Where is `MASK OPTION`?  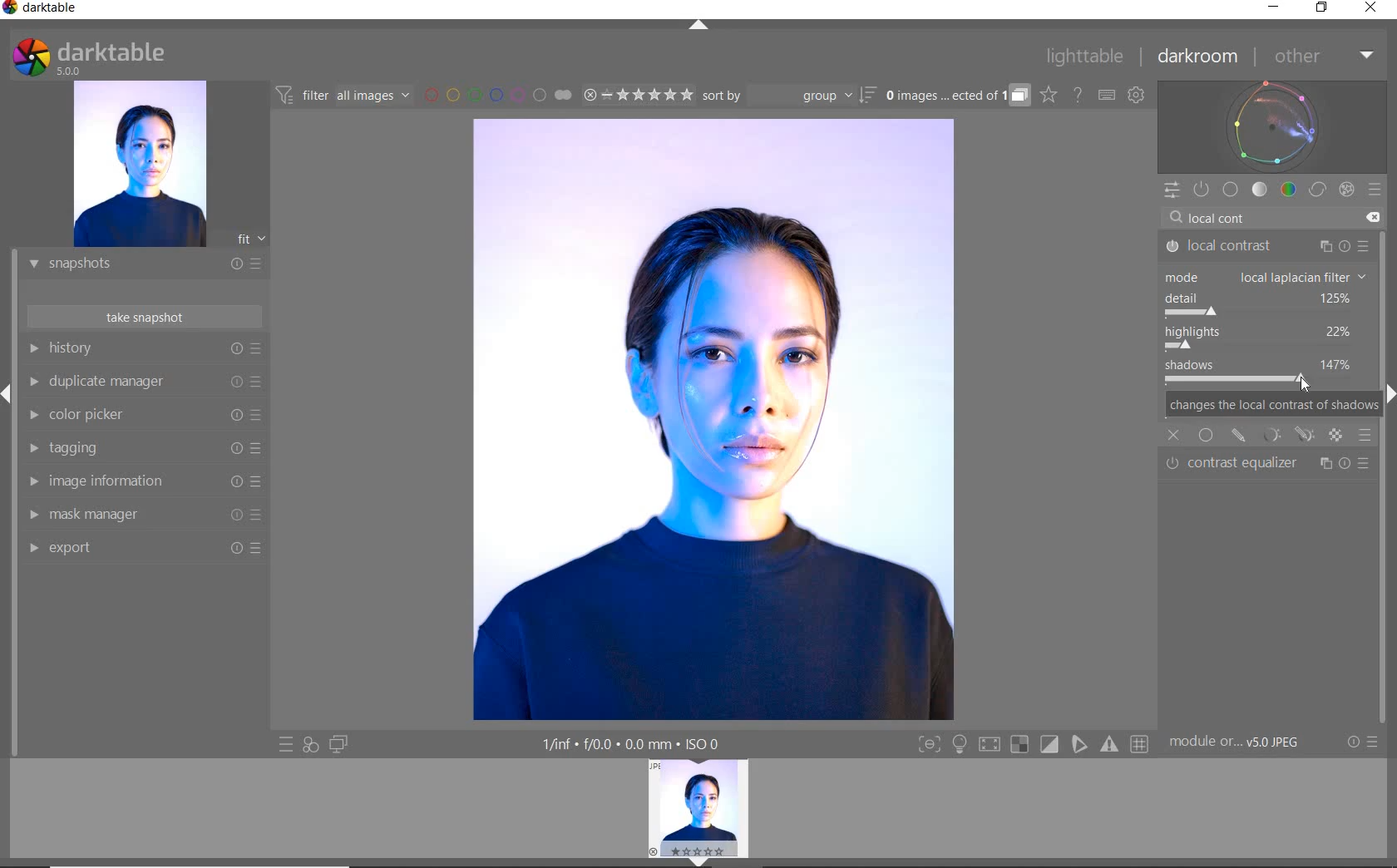 MASK OPTION is located at coordinates (1336, 436).